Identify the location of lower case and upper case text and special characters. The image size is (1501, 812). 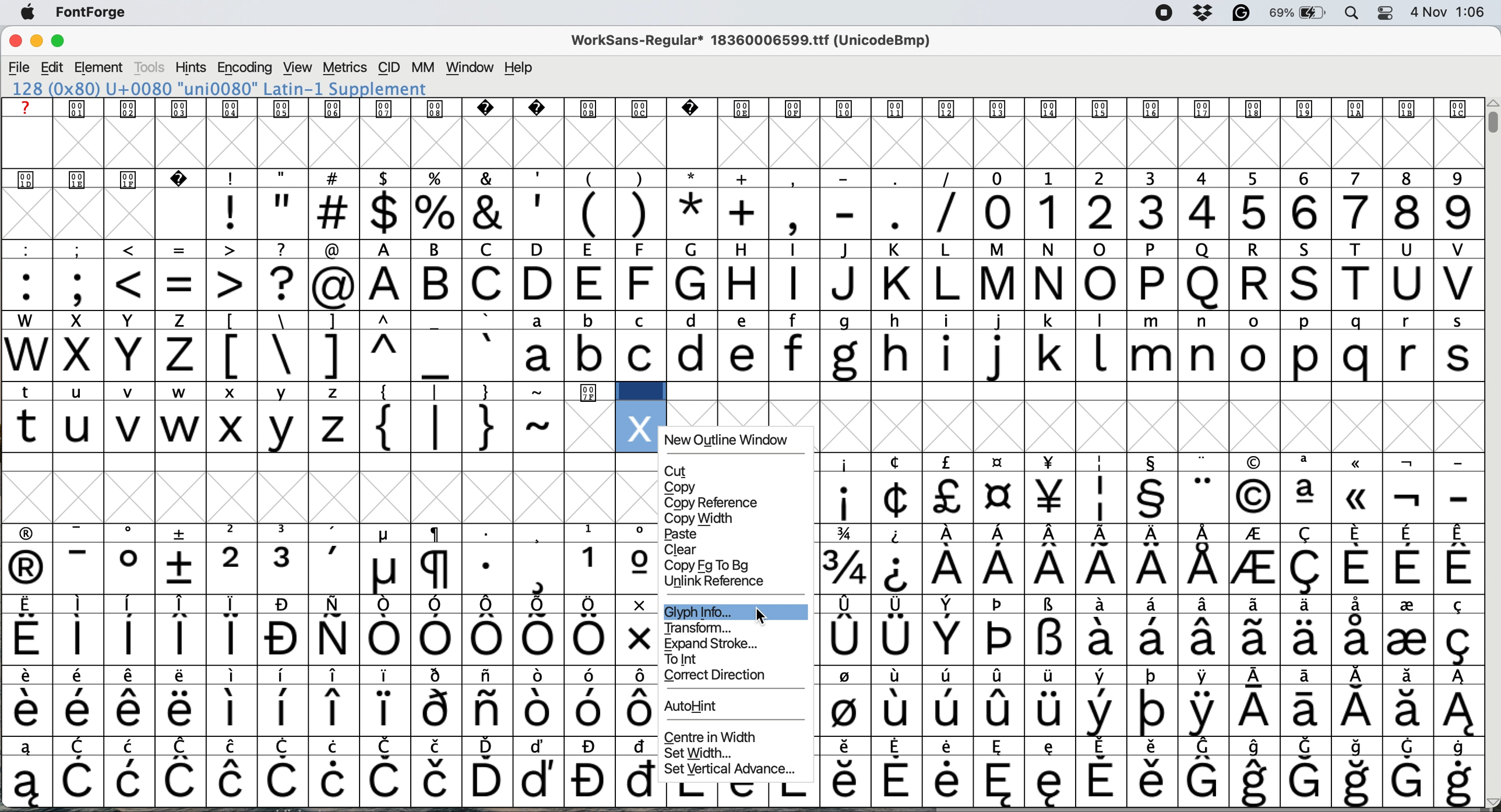
(745, 318).